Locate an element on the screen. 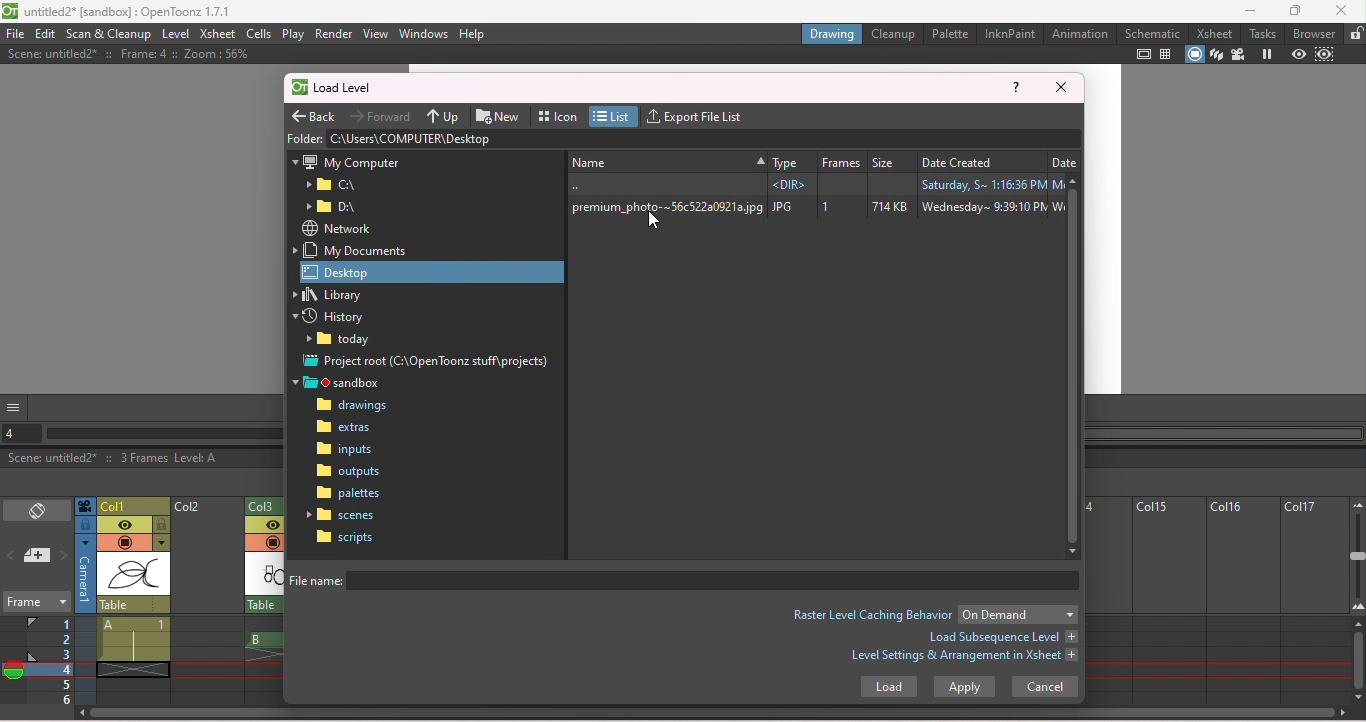 The height and width of the screenshot is (722, 1366). Click to select colun is located at coordinates (134, 505).